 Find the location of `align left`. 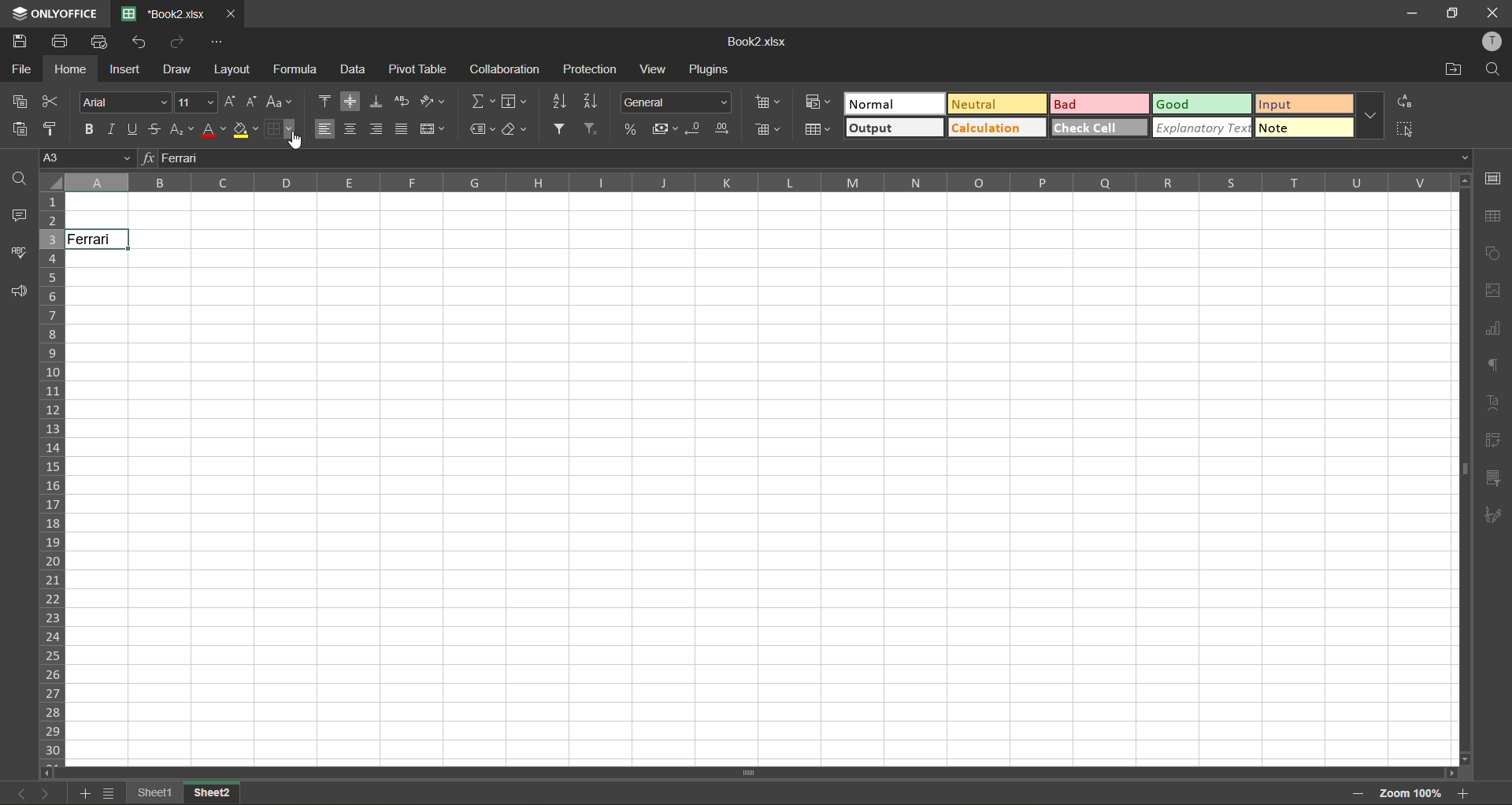

align left is located at coordinates (326, 129).